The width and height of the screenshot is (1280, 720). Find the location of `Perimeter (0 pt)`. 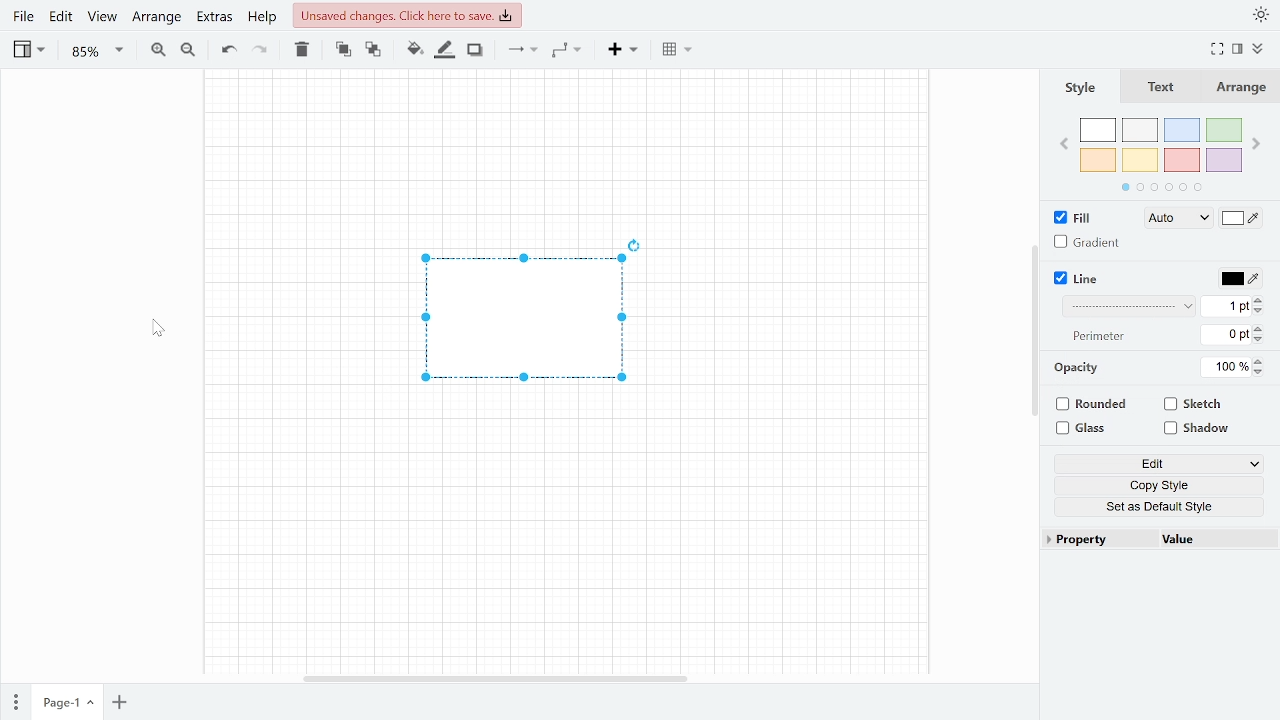

Perimeter (0 pt) is located at coordinates (1226, 334).